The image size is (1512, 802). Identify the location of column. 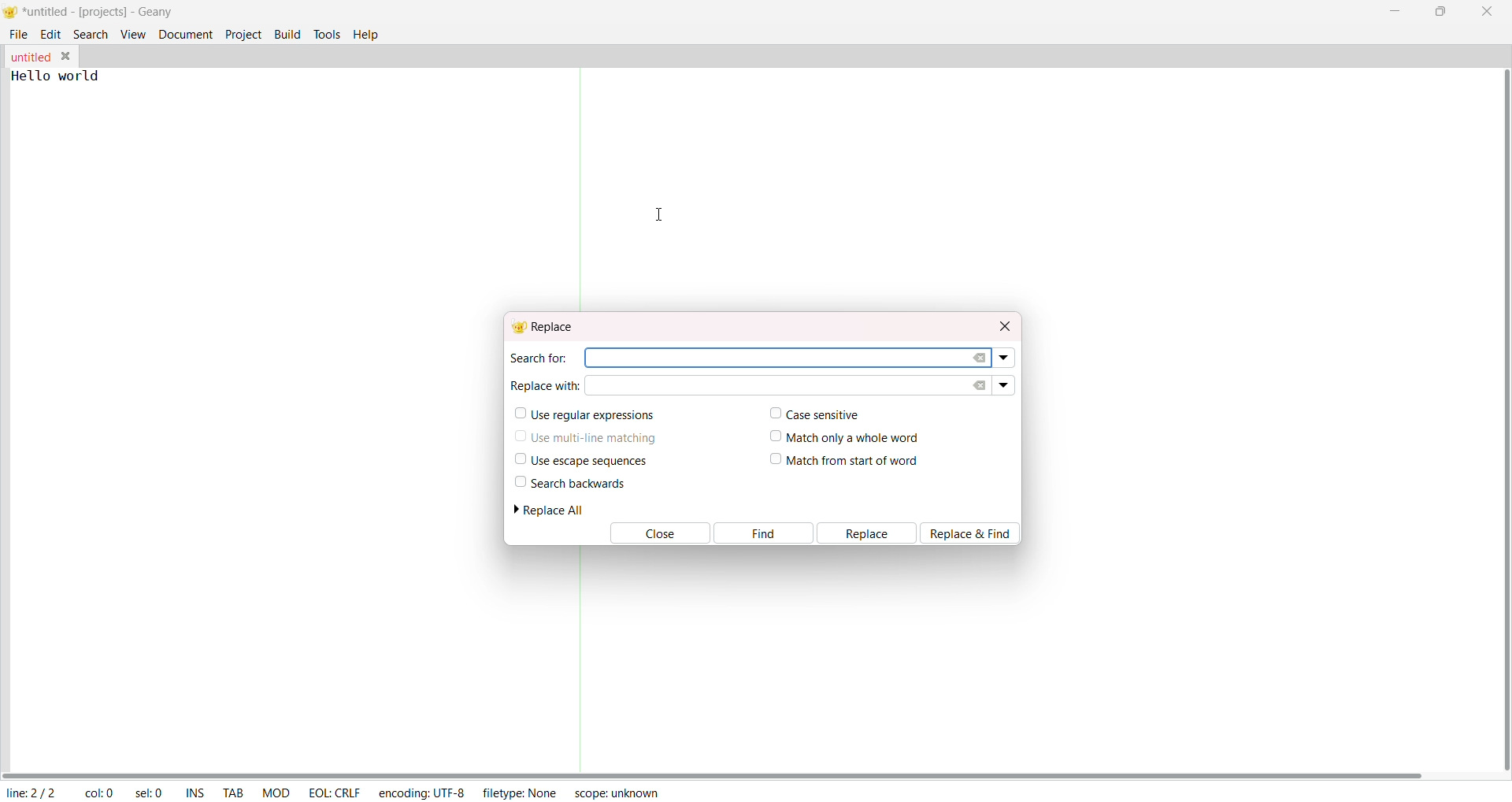
(98, 793).